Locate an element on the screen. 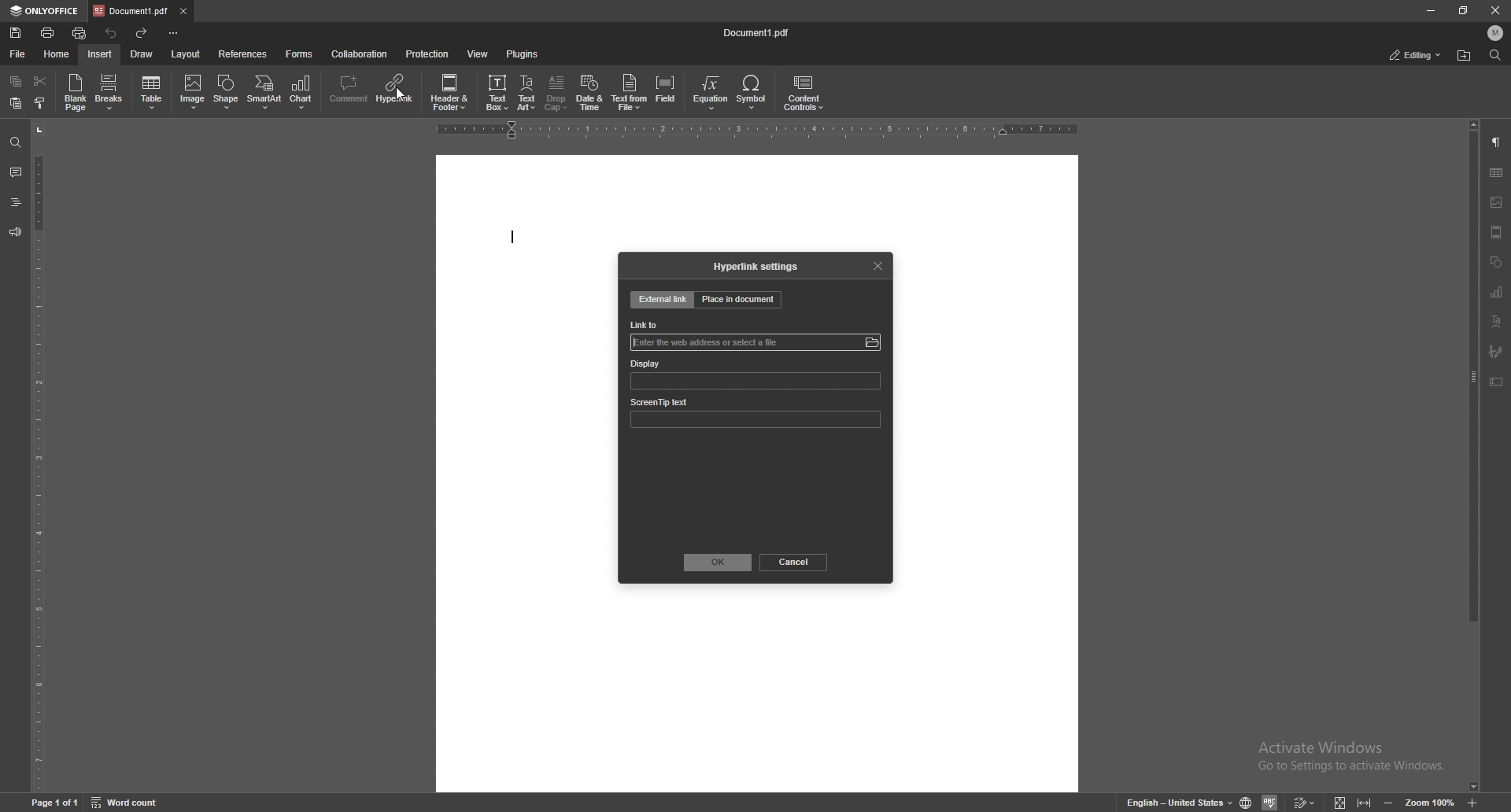 The height and width of the screenshot is (812, 1511). forms is located at coordinates (298, 54).